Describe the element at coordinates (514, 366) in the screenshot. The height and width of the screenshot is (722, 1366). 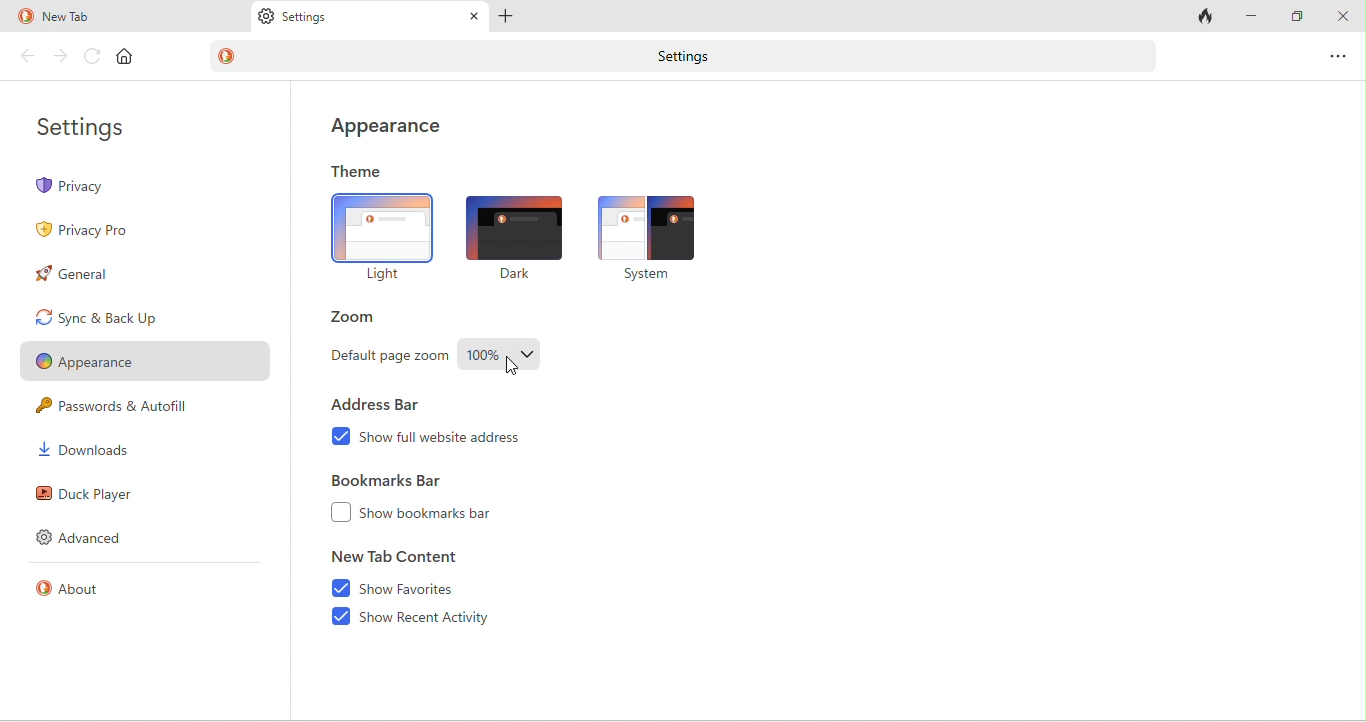
I see `cursor movement` at that location.